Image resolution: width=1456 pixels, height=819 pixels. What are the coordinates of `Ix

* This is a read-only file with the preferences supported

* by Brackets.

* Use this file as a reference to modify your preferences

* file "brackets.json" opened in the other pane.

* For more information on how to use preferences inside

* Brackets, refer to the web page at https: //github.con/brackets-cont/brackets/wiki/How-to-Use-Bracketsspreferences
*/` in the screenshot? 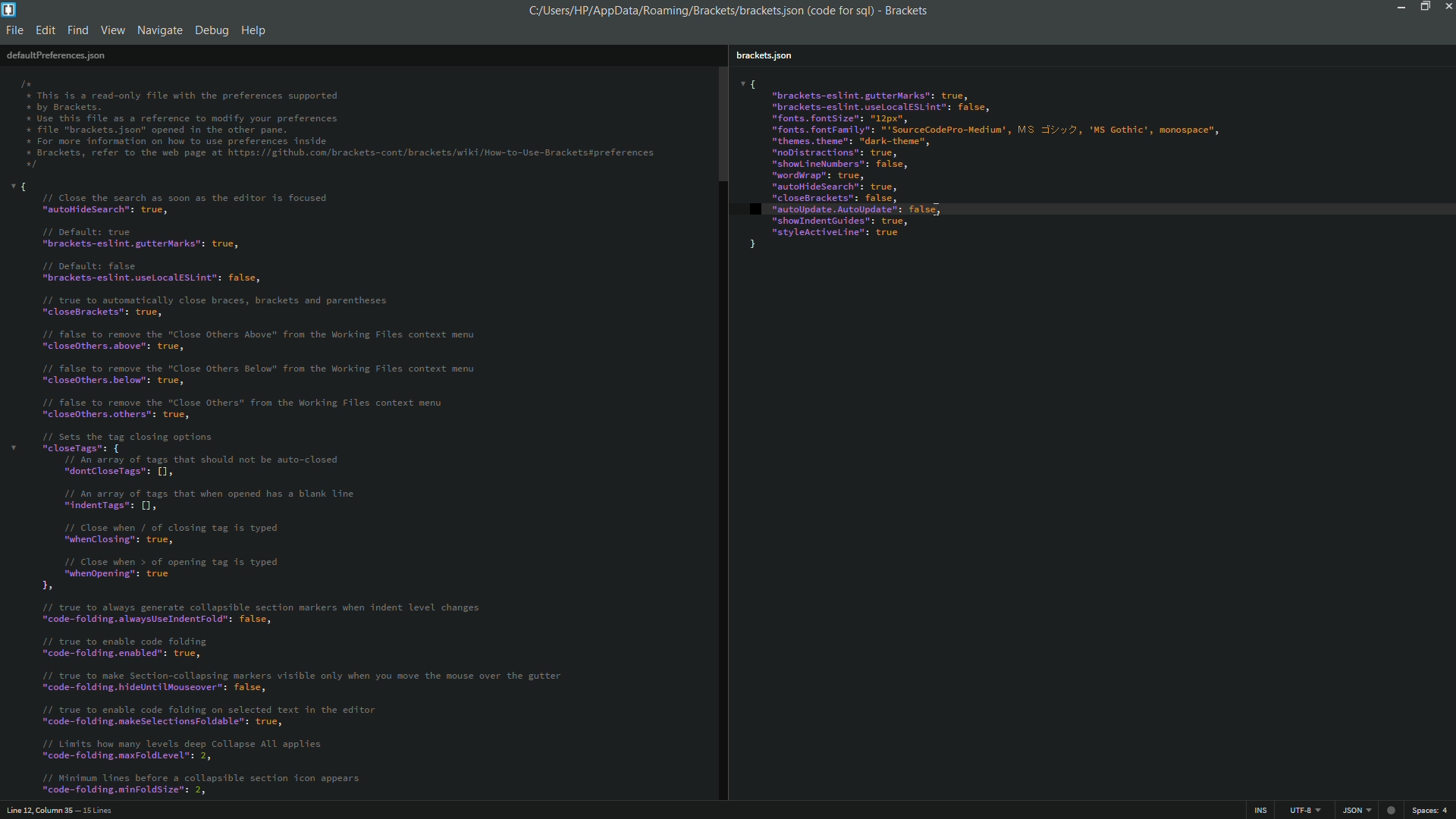 It's located at (340, 121).